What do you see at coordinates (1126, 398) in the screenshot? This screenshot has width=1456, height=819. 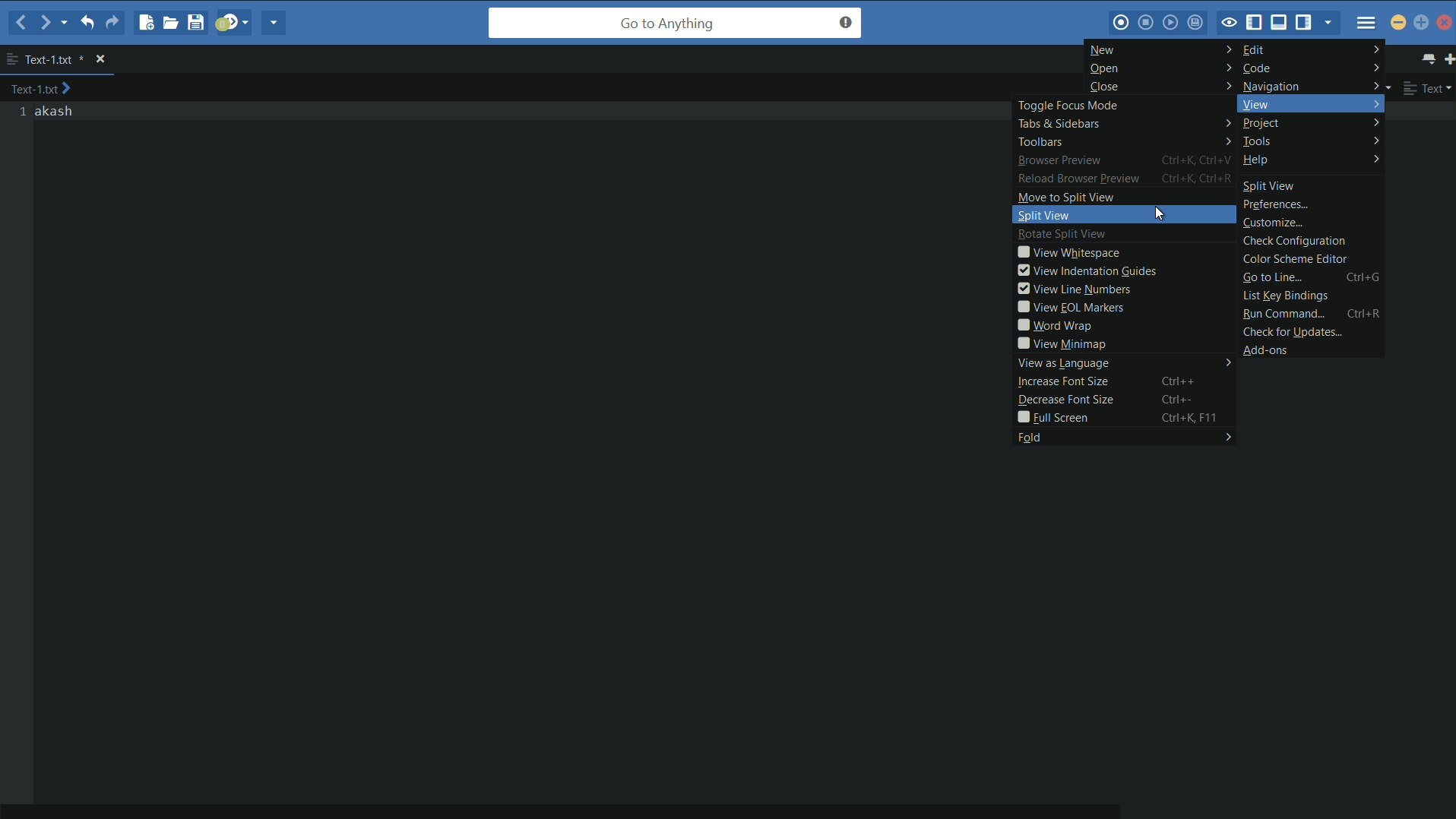 I see `decrease font size` at bounding box center [1126, 398].